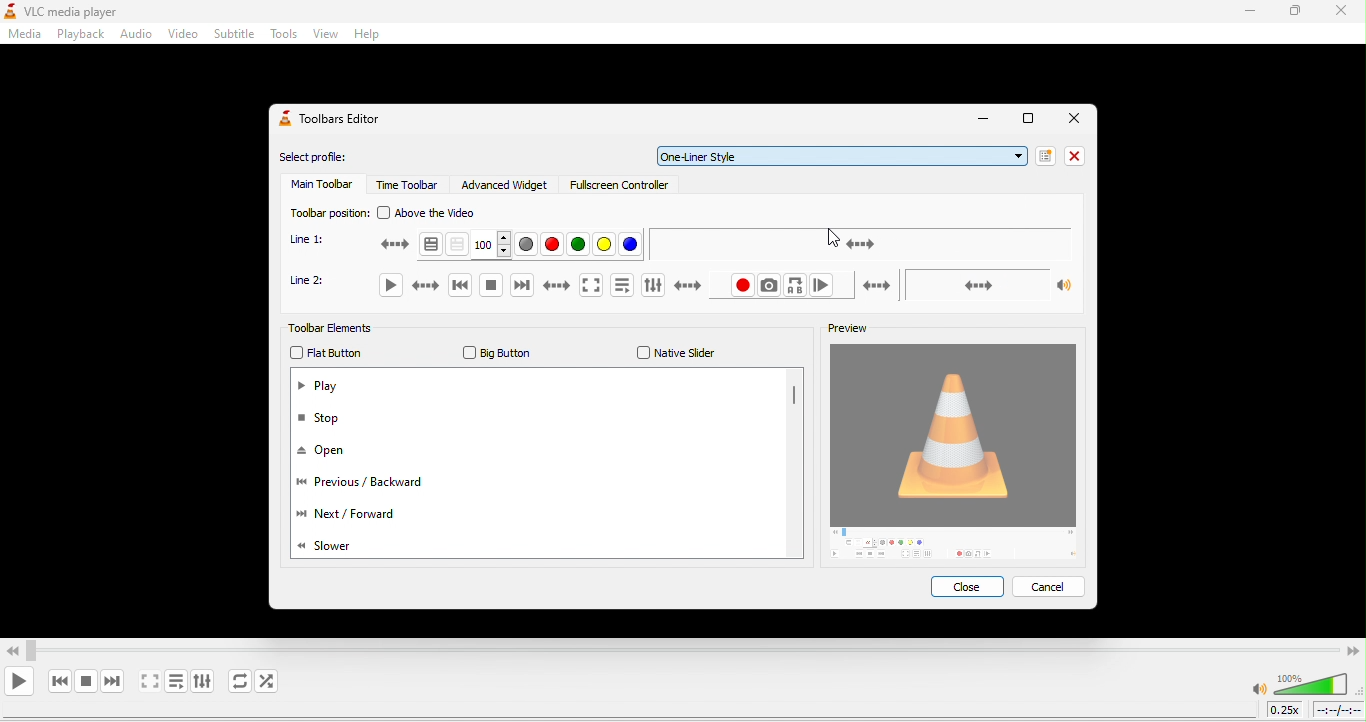 The width and height of the screenshot is (1366, 722). I want to click on audio, so click(137, 34).